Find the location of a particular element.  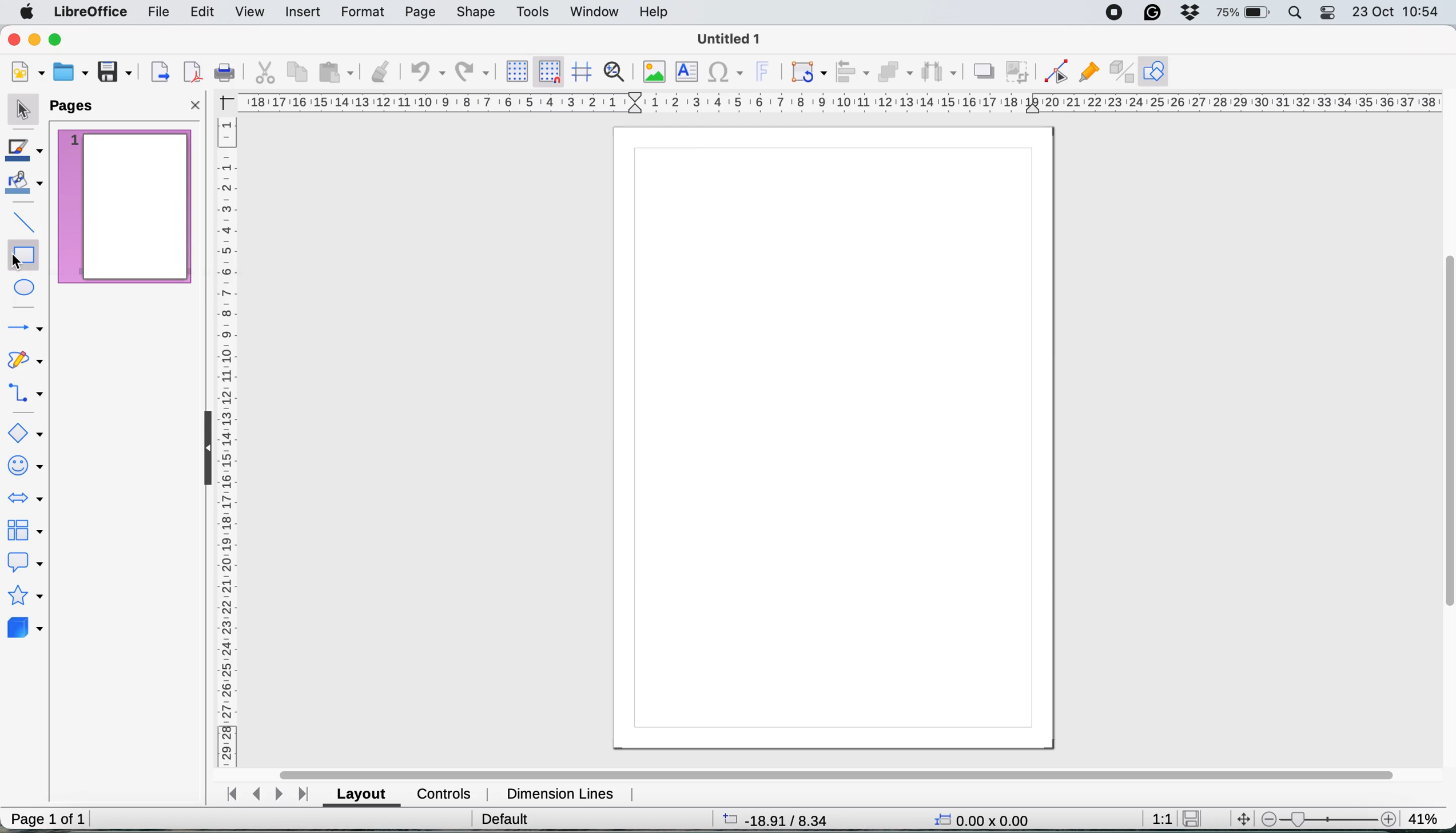

control center is located at coordinates (1329, 12).